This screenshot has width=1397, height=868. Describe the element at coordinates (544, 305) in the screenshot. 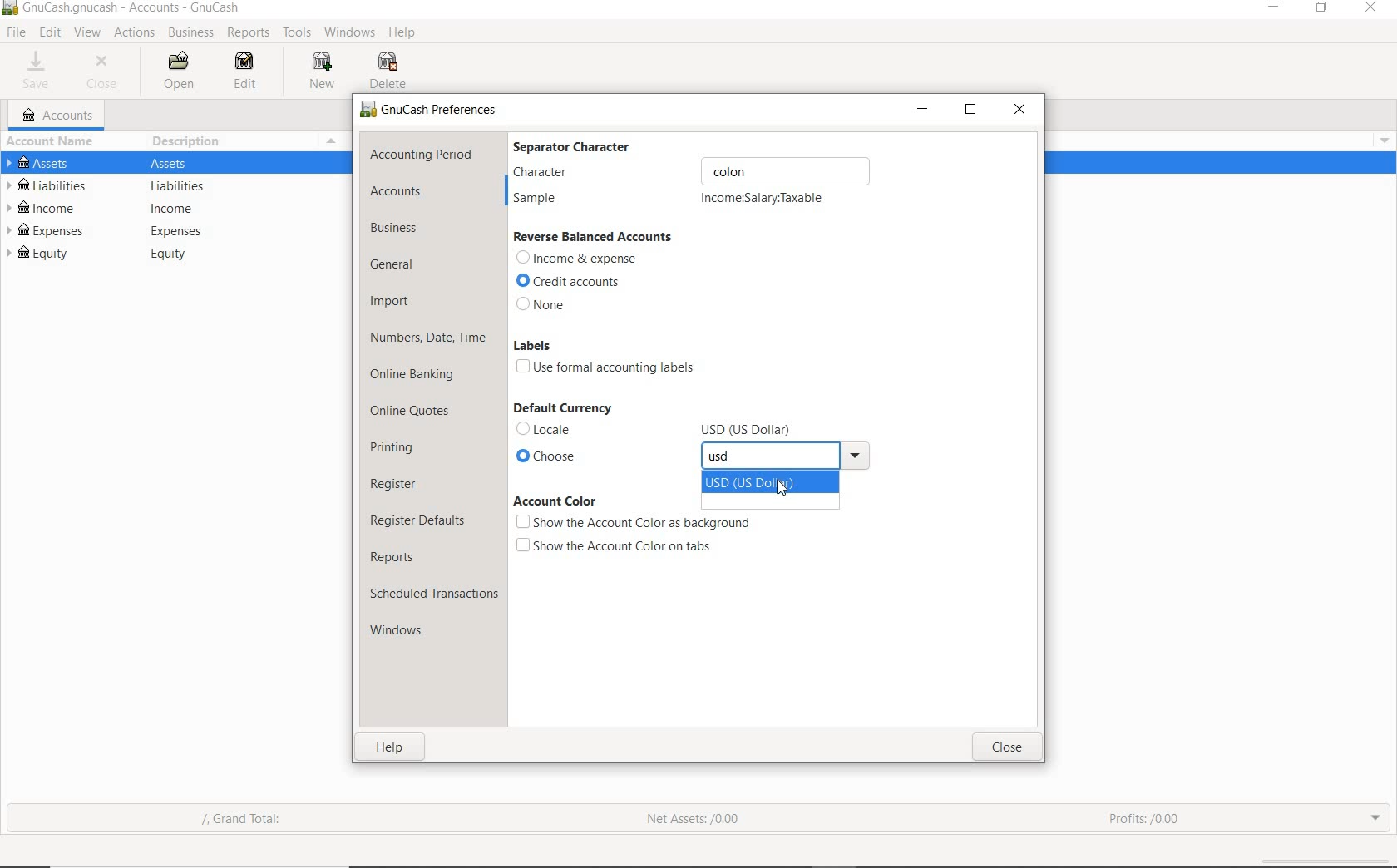

I see `none` at that location.